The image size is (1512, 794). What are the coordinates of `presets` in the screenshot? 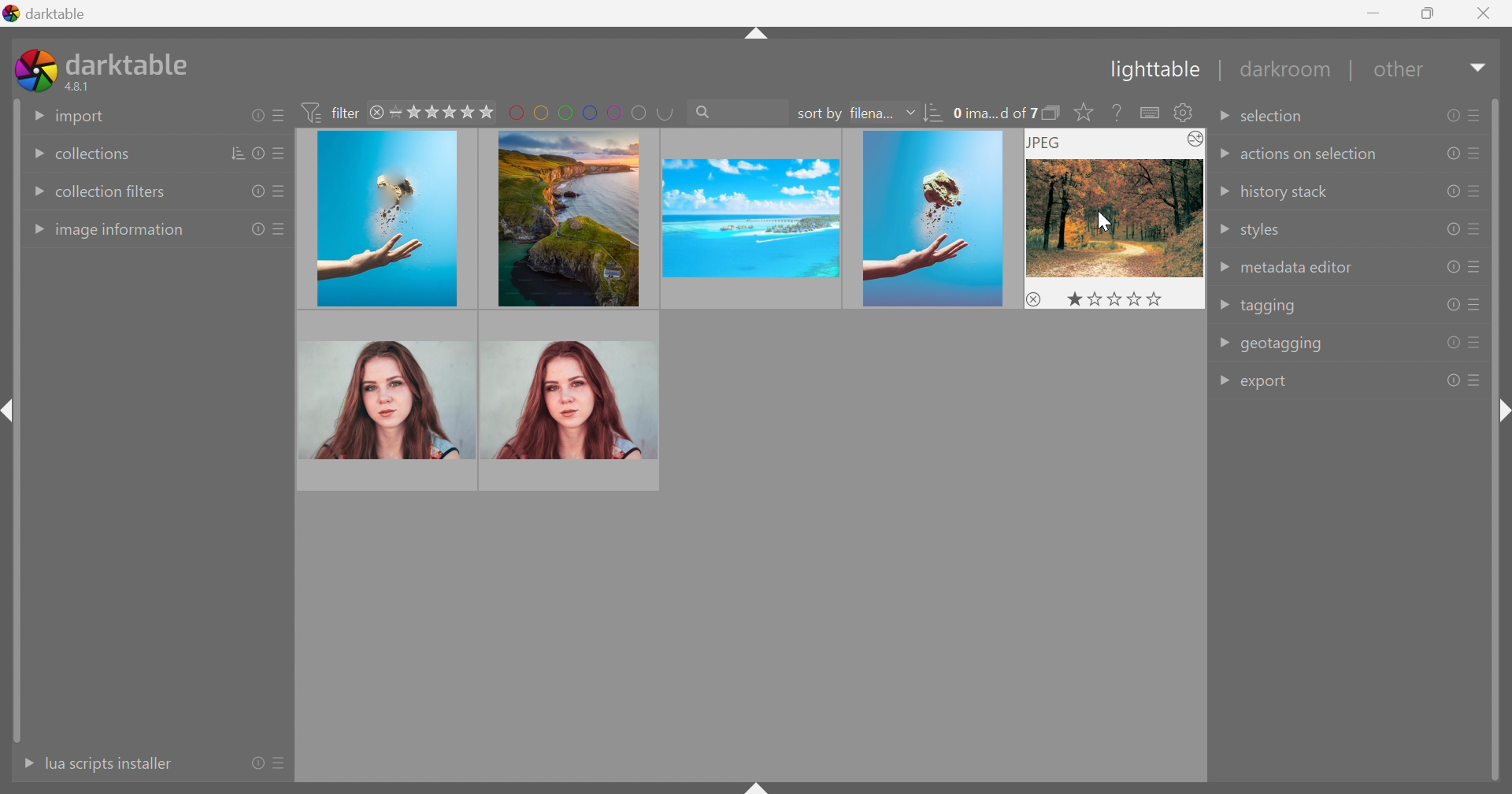 It's located at (278, 116).